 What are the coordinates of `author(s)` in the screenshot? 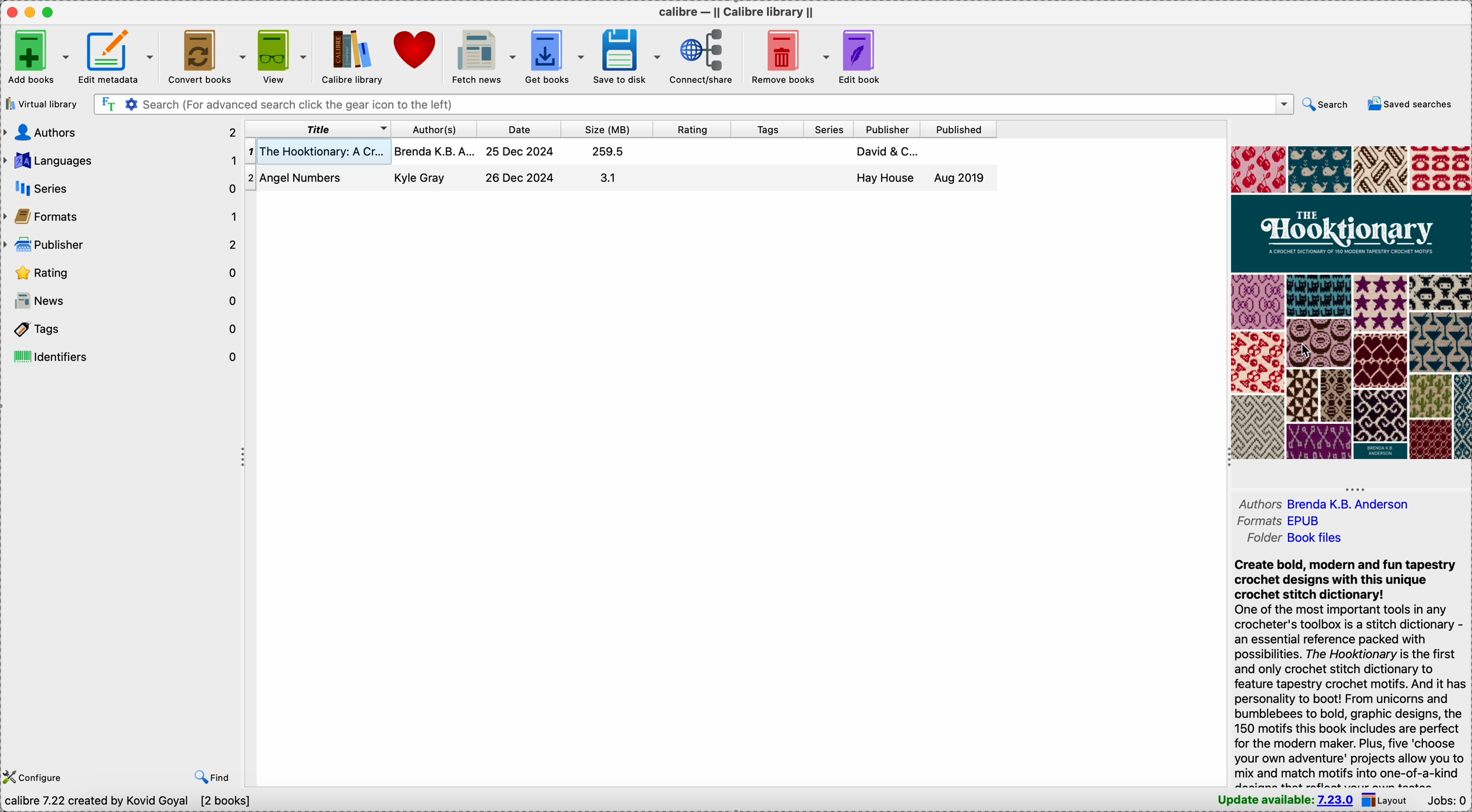 It's located at (434, 129).